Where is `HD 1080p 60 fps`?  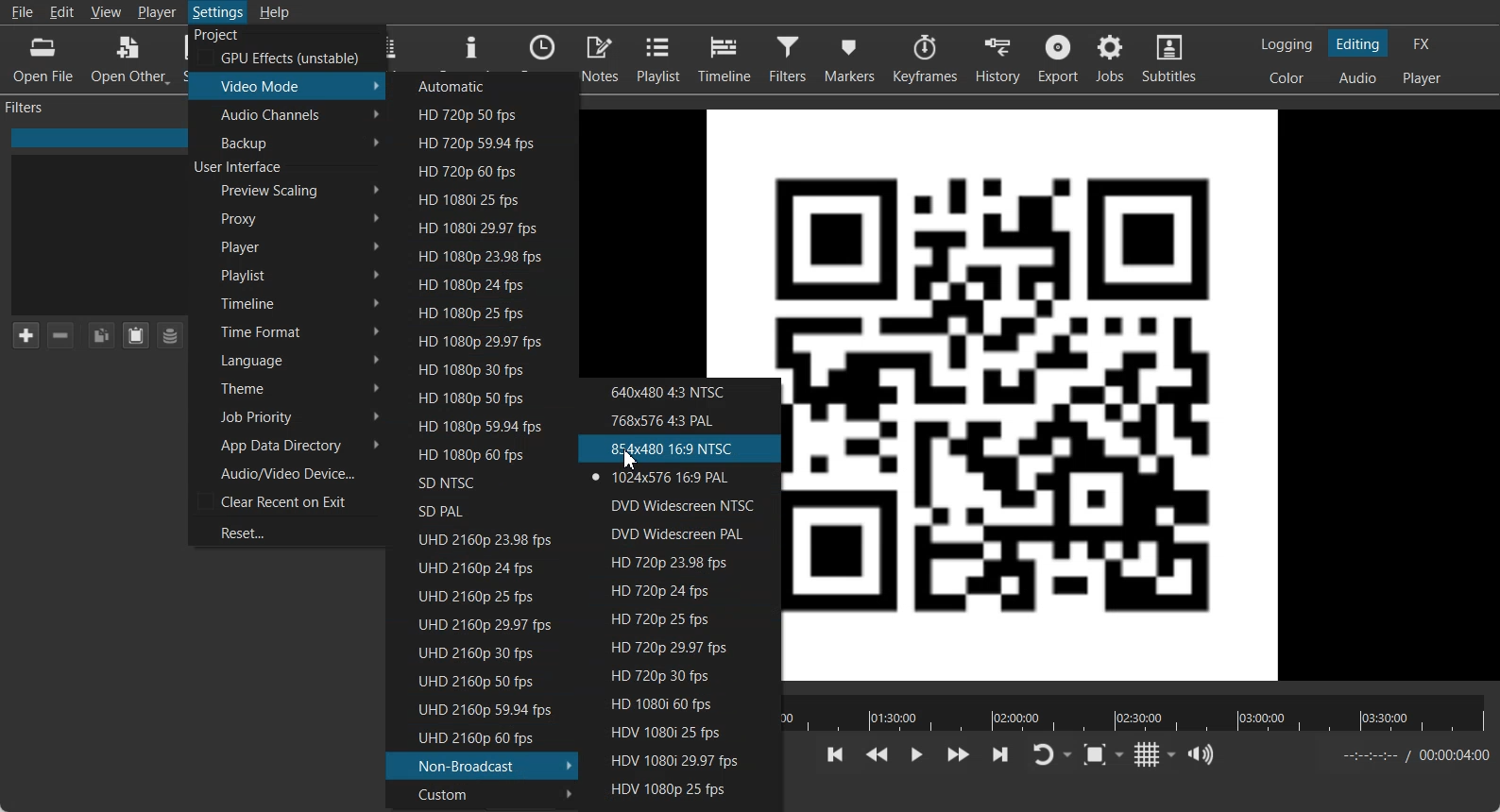
HD 1080p 60 fps is located at coordinates (473, 454).